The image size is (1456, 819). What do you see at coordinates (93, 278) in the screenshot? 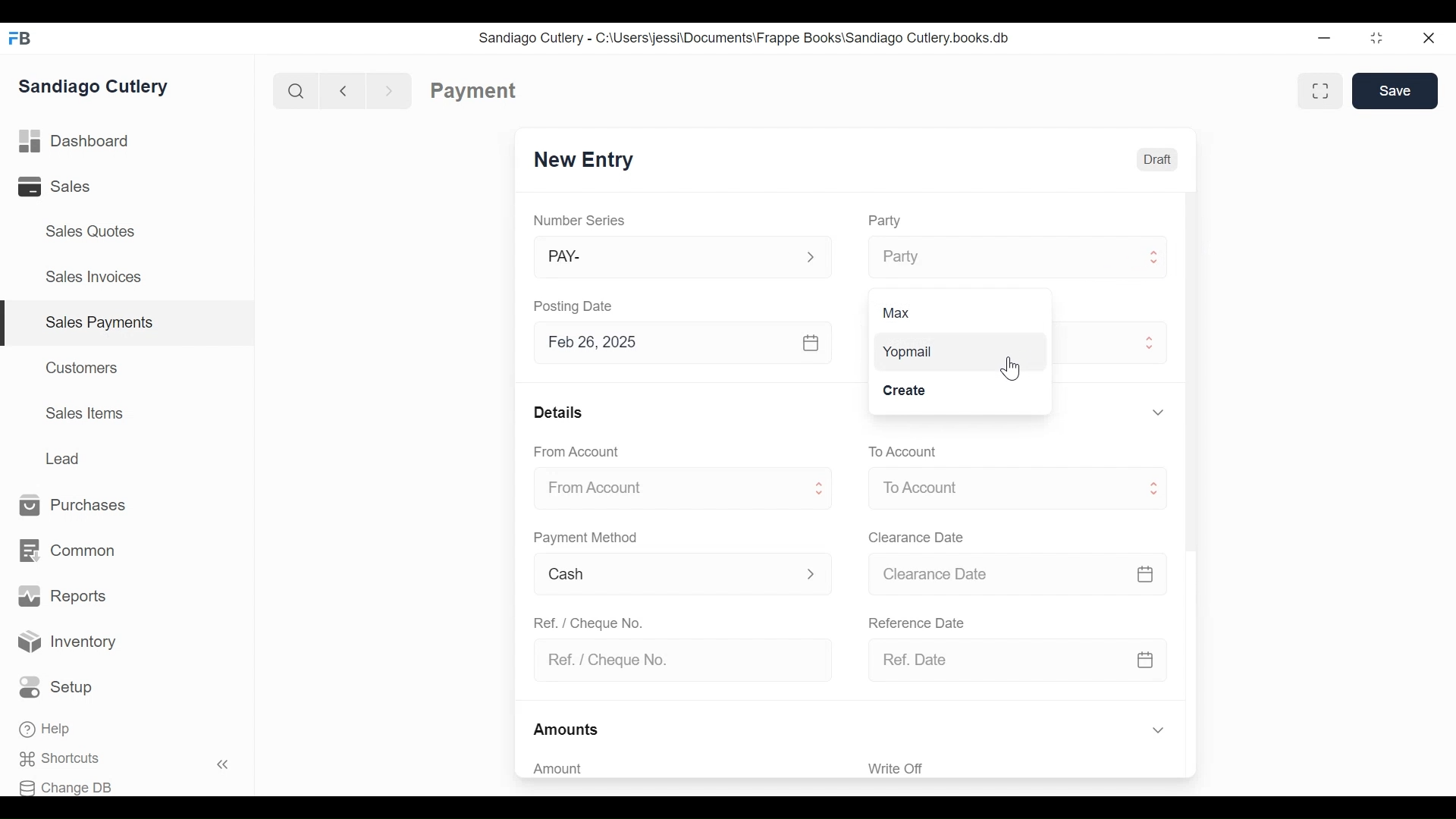
I see `Sales Invoices` at bounding box center [93, 278].